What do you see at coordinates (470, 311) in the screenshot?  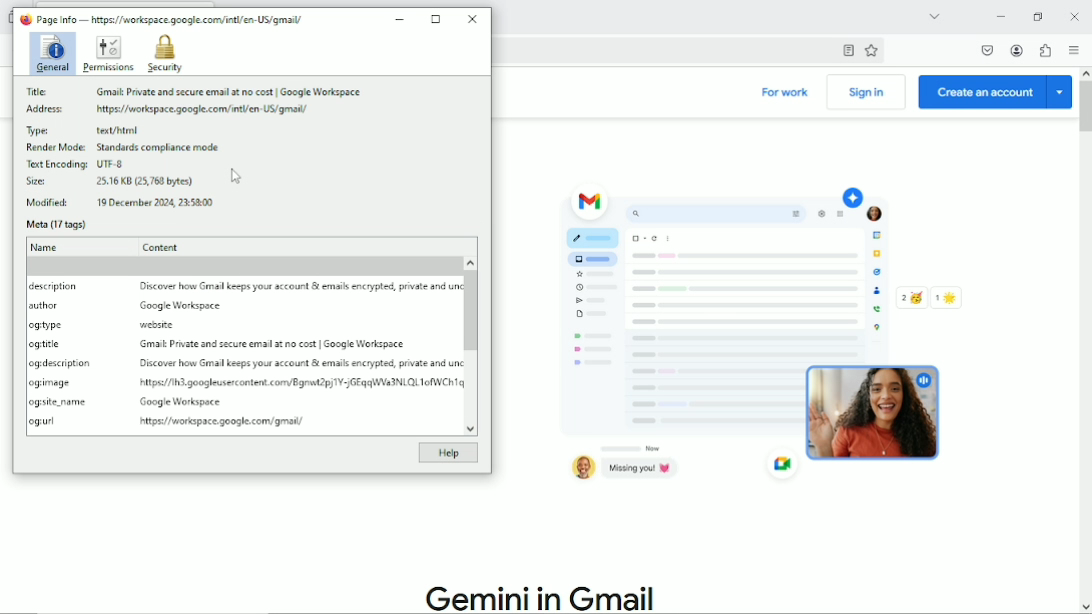 I see `Vertical scrollbar` at bounding box center [470, 311].